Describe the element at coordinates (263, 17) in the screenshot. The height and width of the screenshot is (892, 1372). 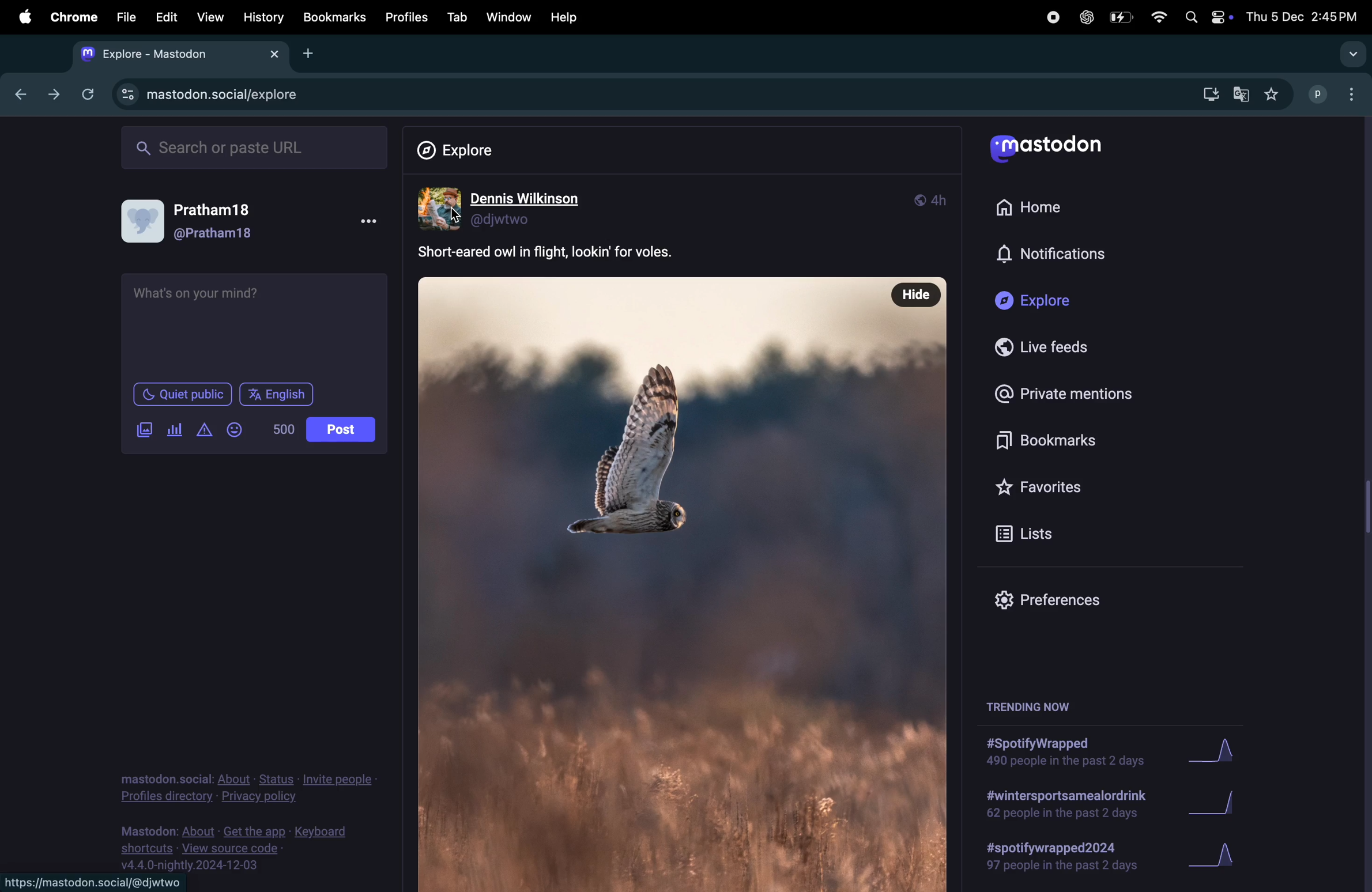
I see `history` at that location.